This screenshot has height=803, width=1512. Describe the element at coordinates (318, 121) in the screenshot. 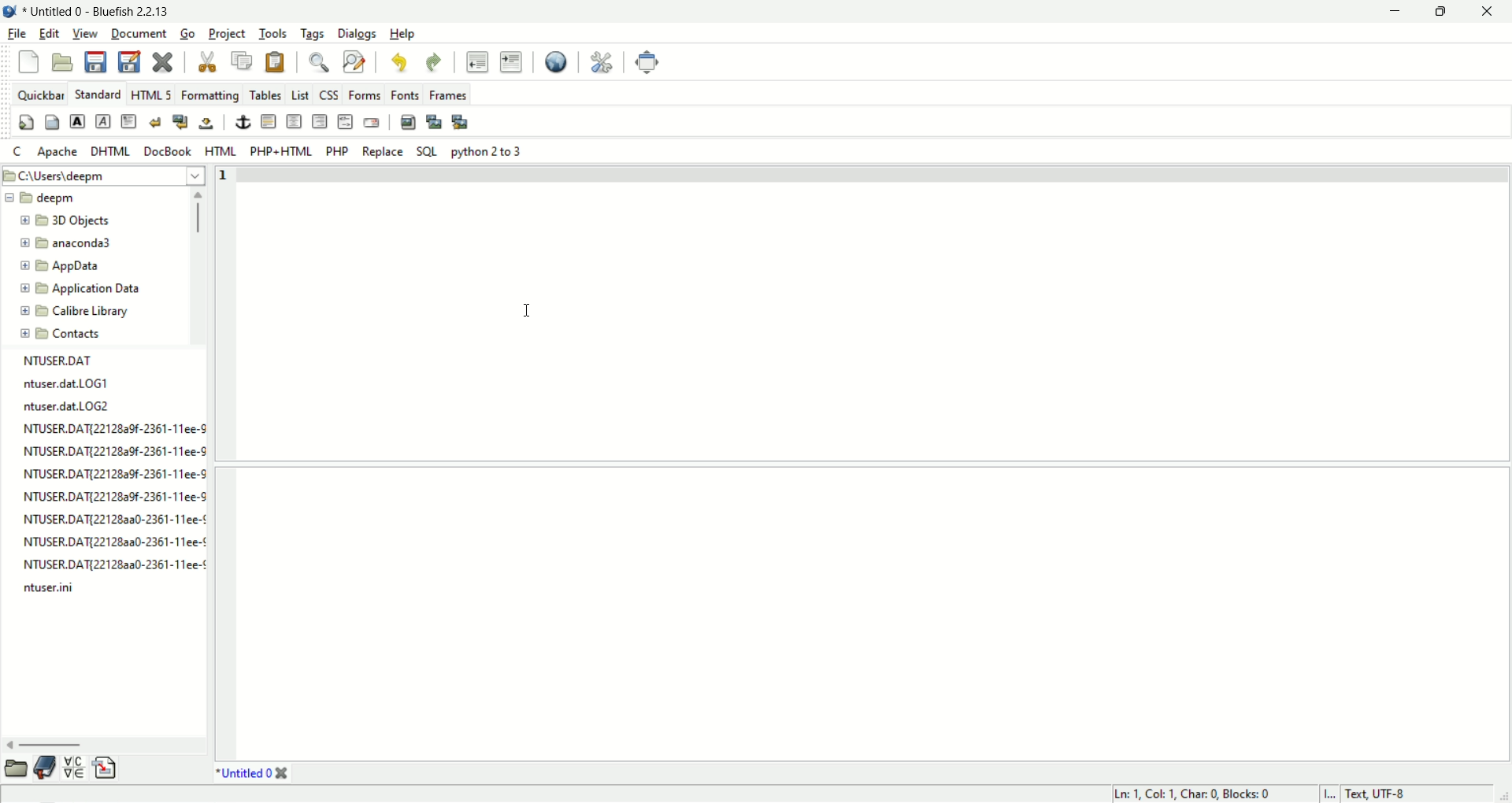

I see `right justify` at that location.